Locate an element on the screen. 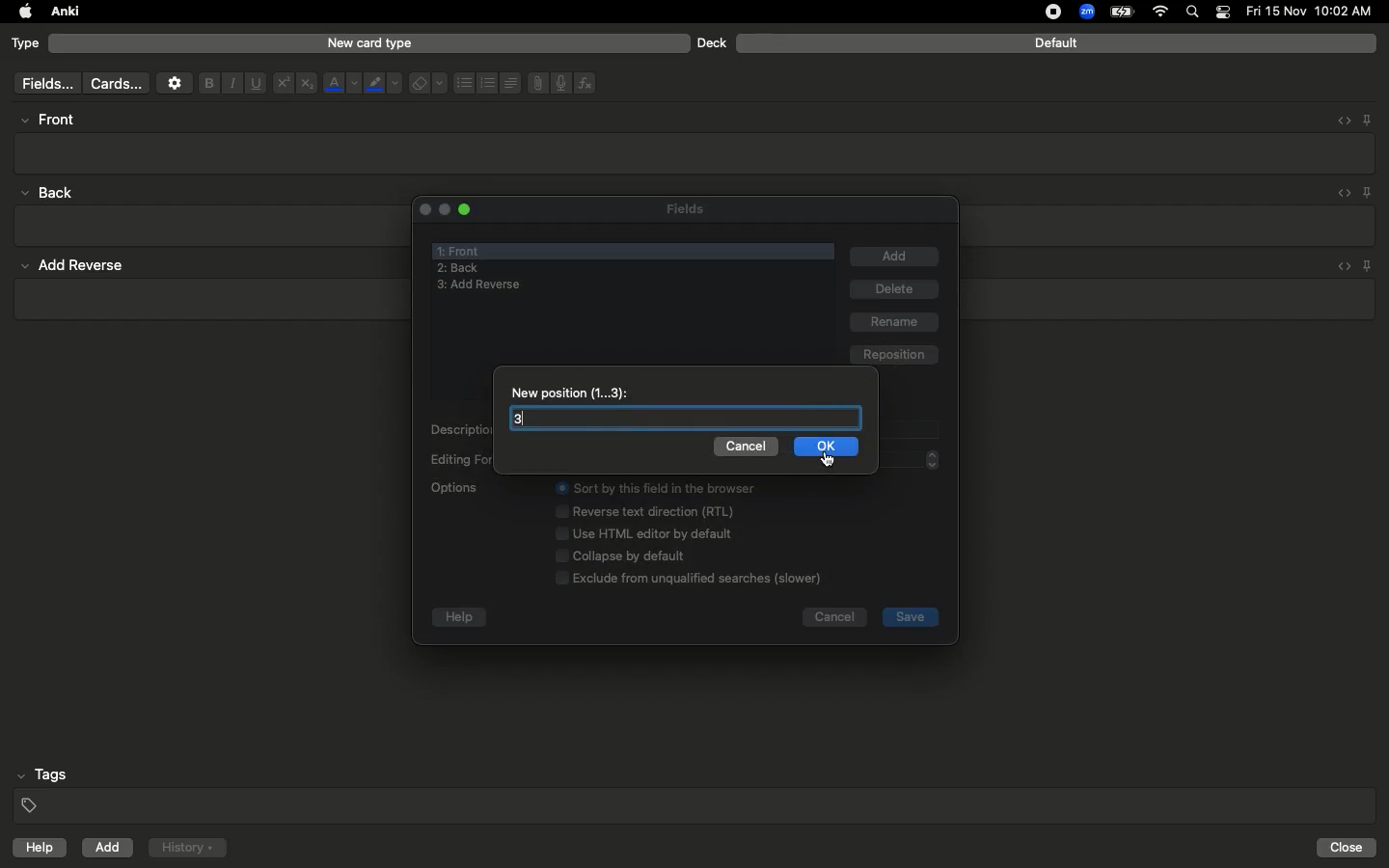  Delete is located at coordinates (897, 290).